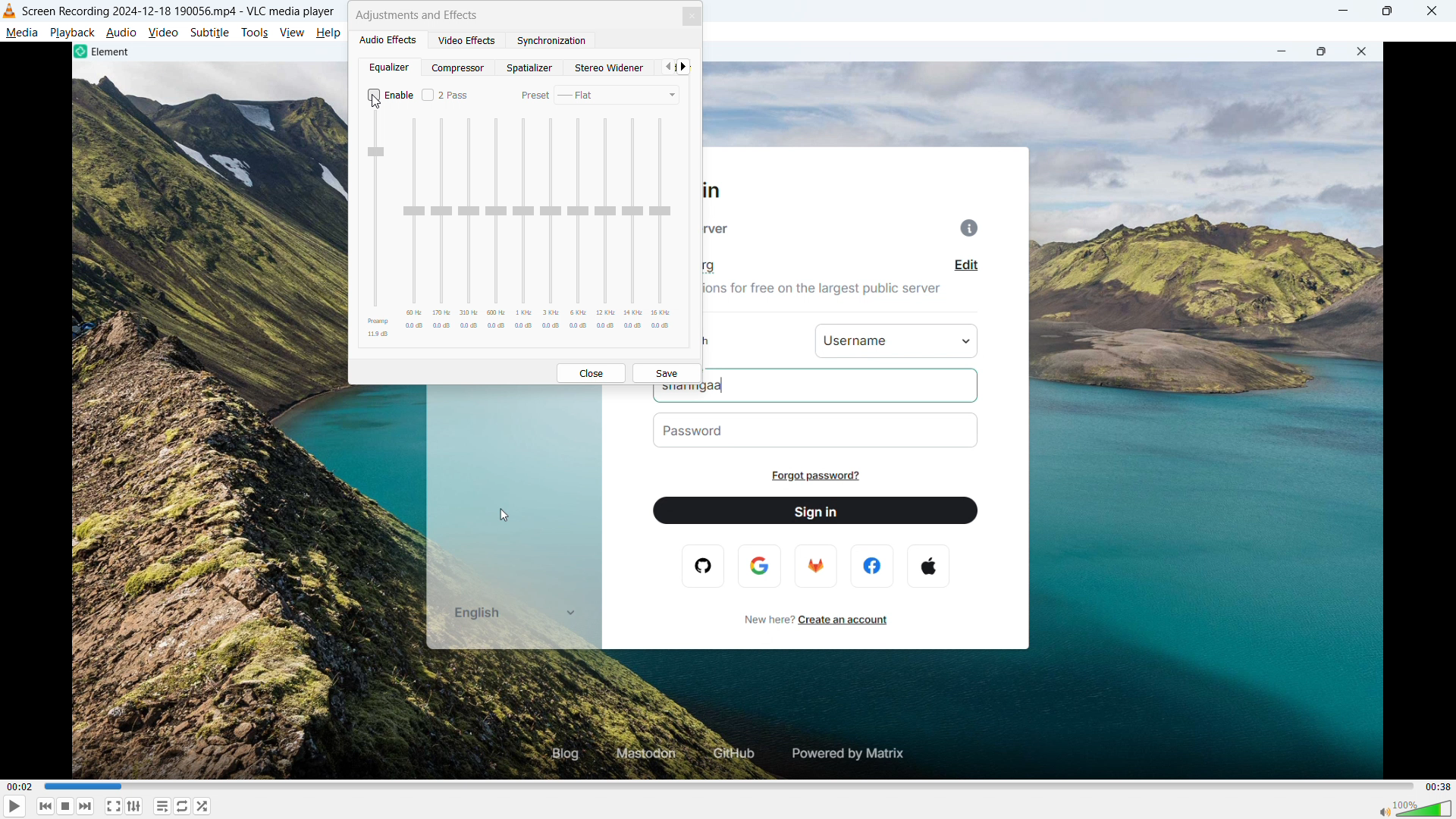 The width and height of the screenshot is (1456, 819). I want to click on Maximize , so click(1389, 11).